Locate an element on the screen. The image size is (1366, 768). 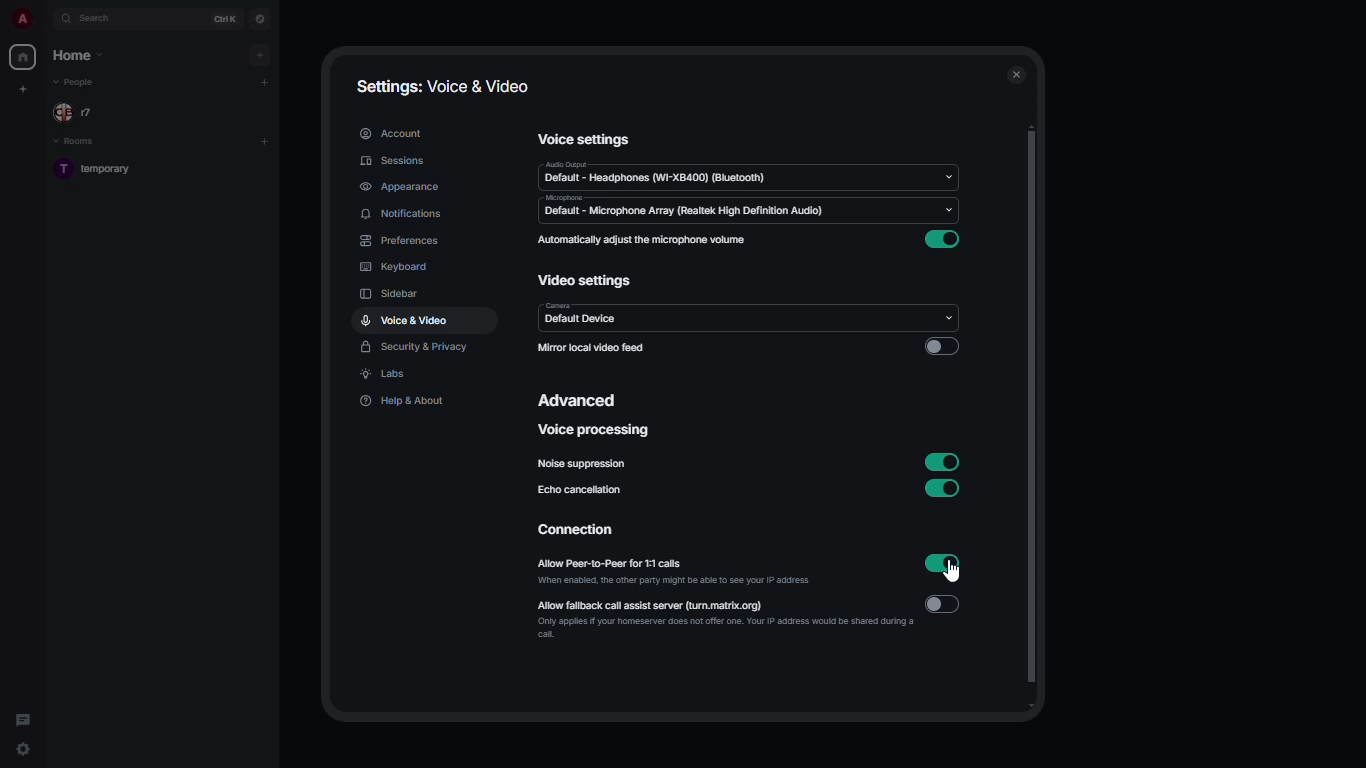
labs is located at coordinates (384, 376).